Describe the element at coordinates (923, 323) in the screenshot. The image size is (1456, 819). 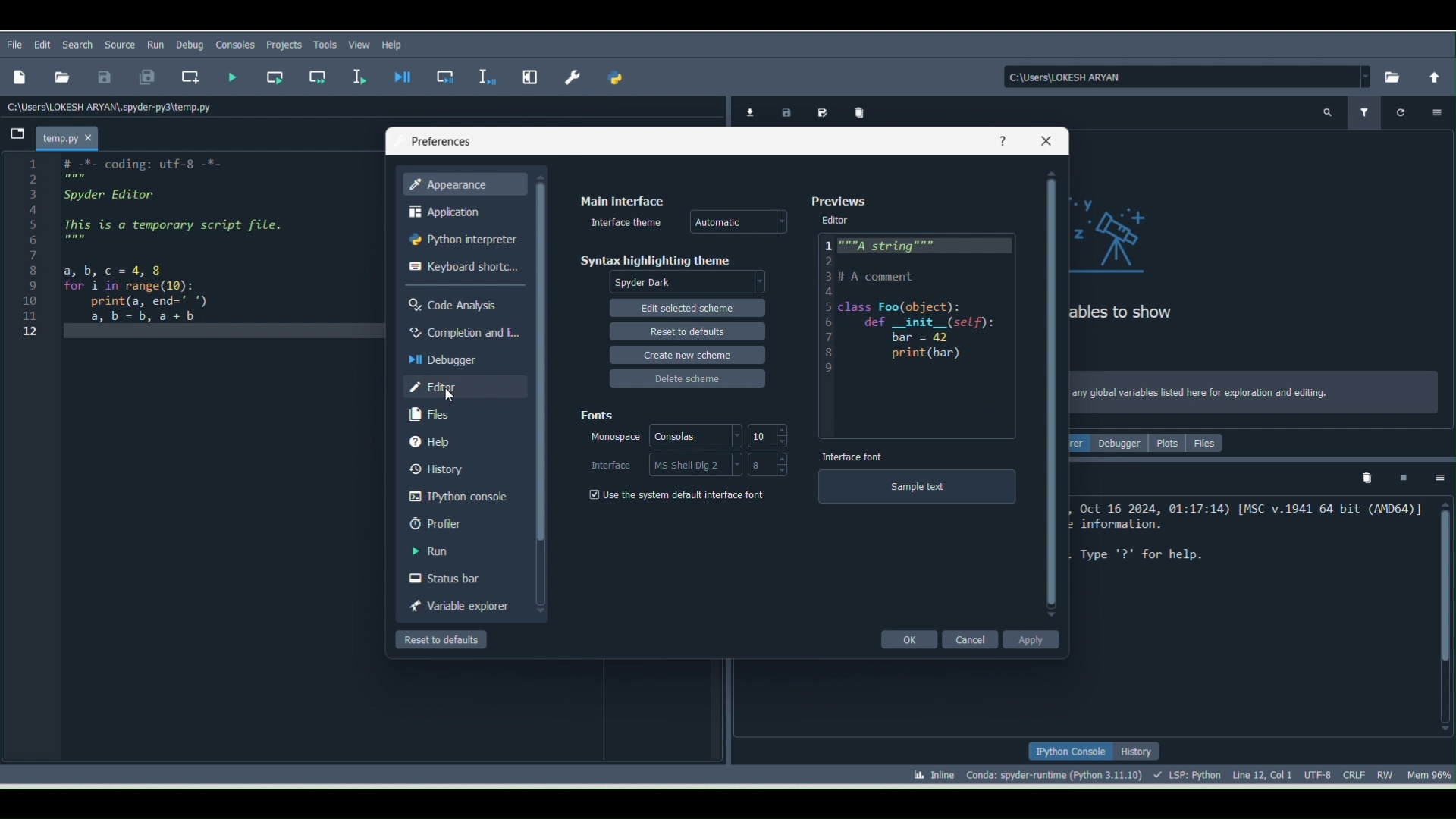
I see `Code block` at that location.